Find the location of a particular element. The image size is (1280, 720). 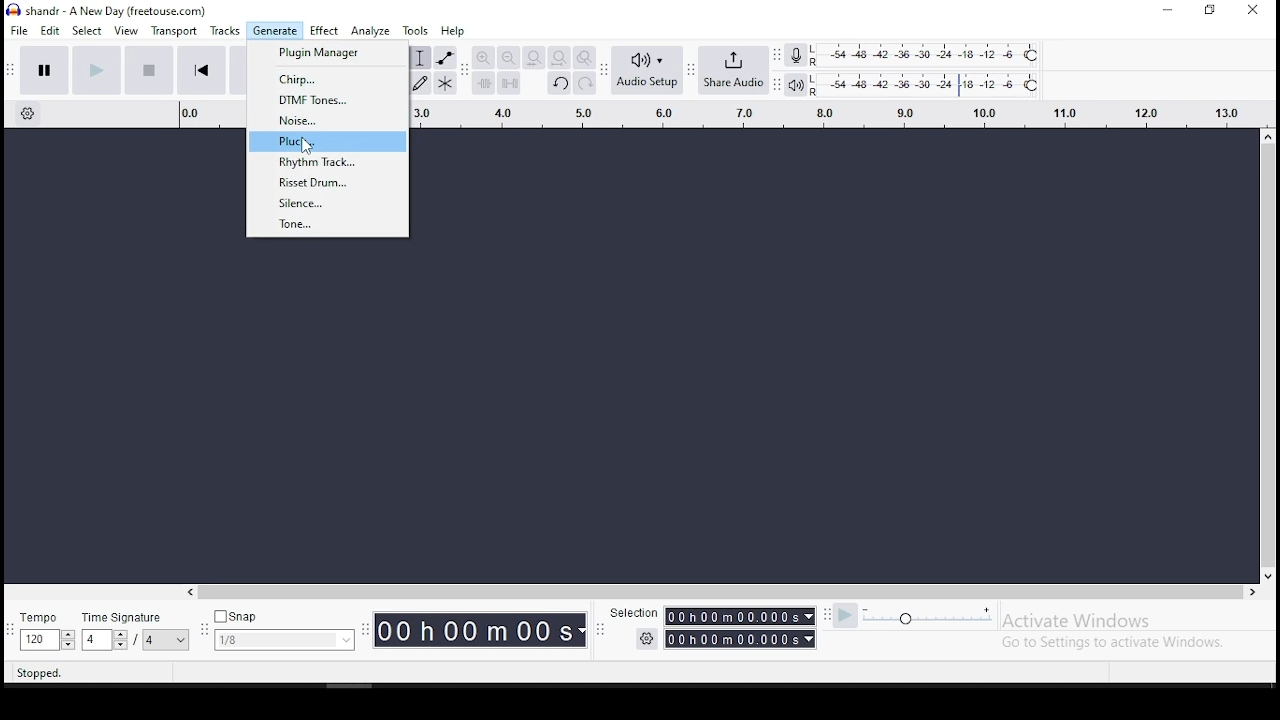

fit selection to width is located at coordinates (533, 58).